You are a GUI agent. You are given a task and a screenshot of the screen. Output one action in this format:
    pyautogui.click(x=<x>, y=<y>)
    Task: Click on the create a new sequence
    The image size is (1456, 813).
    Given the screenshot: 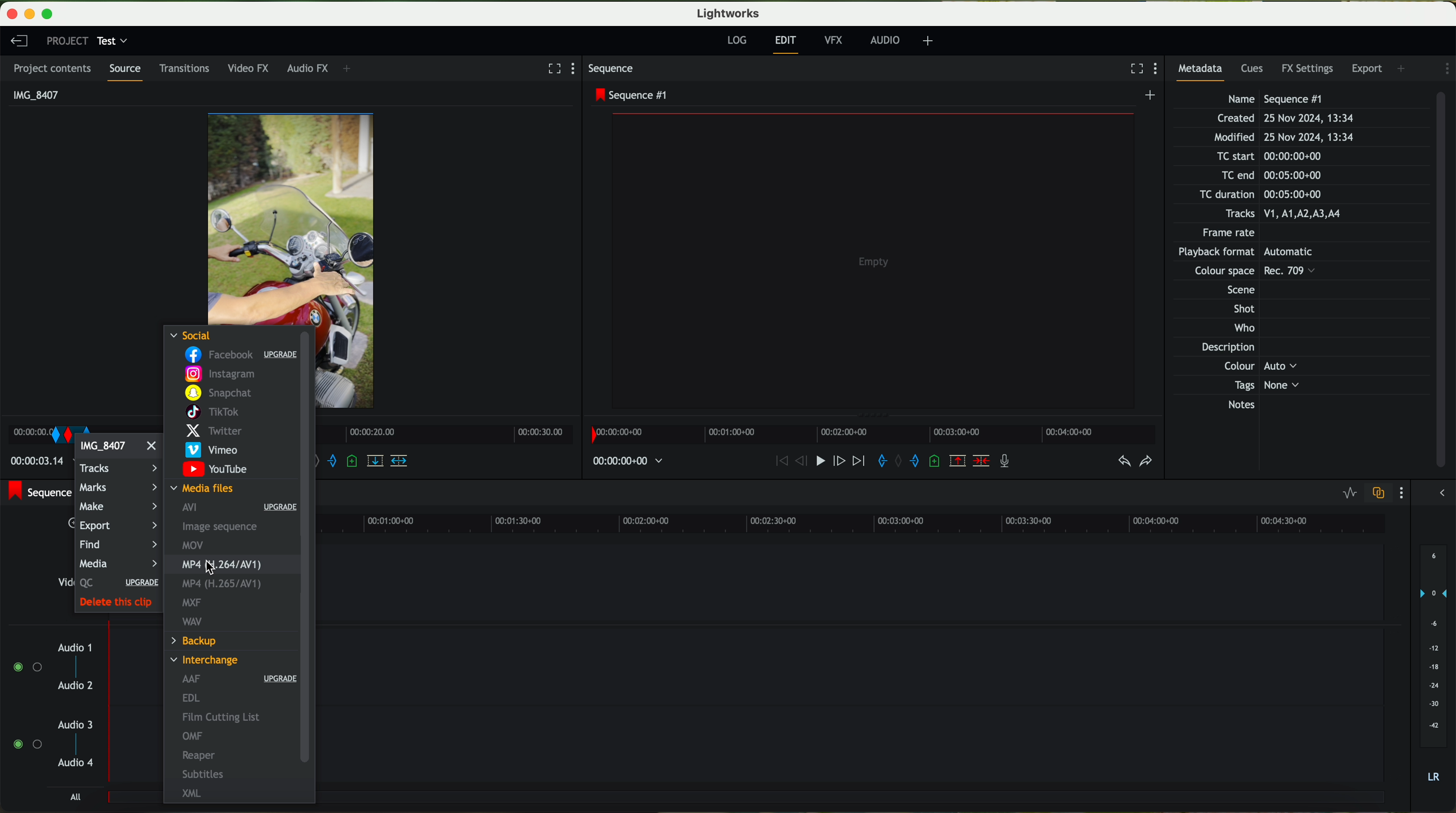 What is the action you would take?
    pyautogui.click(x=1151, y=97)
    